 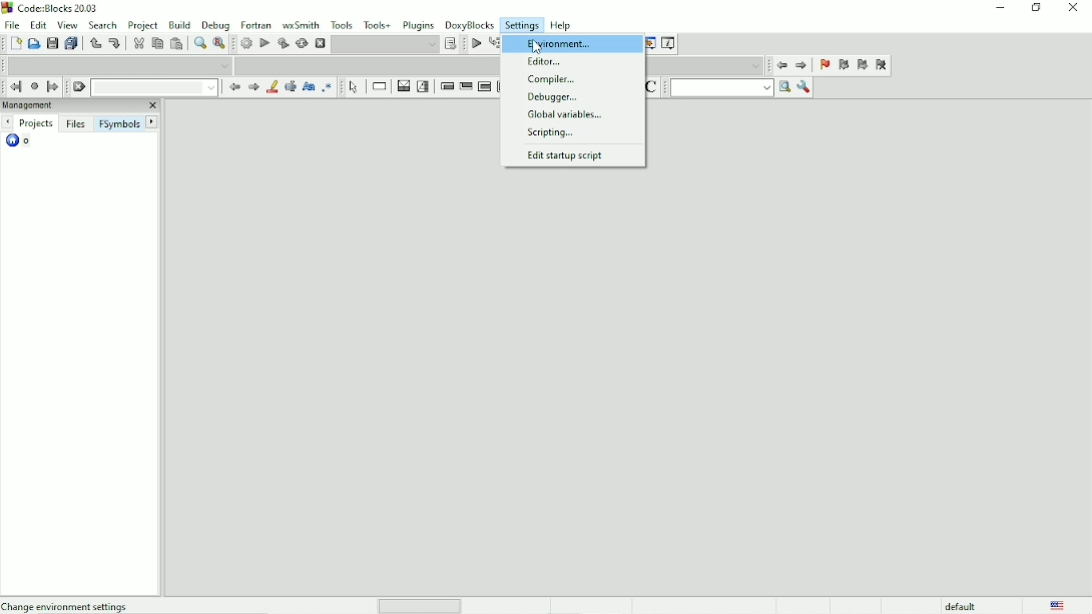 What do you see at coordinates (301, 25) in the screenshot?
I see `wxSmith` at bounding box center [301, 25].